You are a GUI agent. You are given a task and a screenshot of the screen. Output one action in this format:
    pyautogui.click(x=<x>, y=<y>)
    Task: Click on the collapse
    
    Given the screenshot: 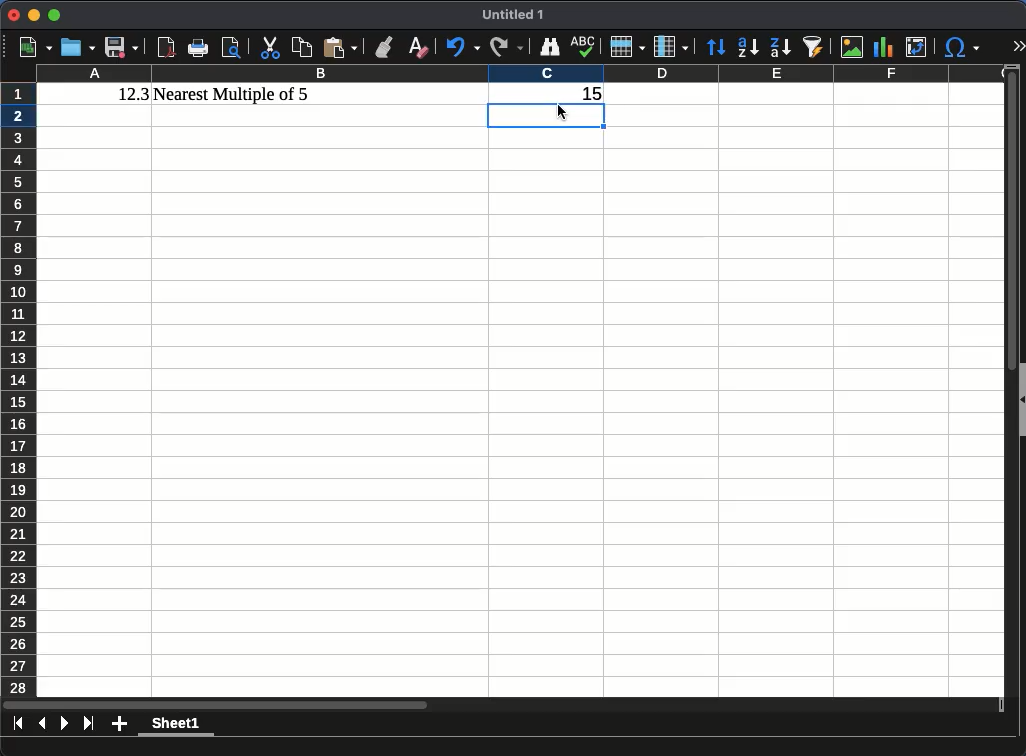 What is the action you would take?
    pyautogui.click(x=1020, y=400)
    